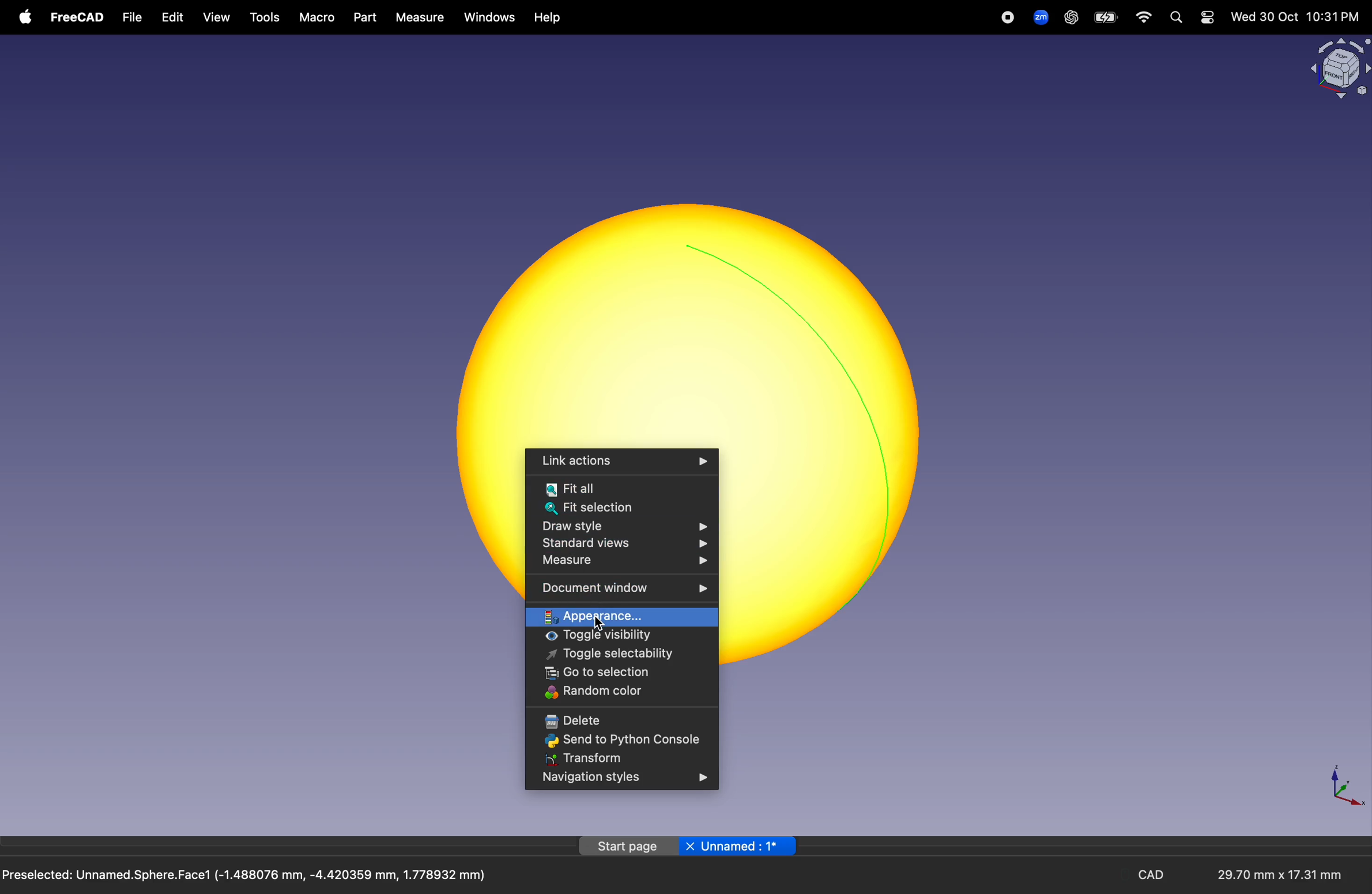 This screenshot has width=1372, height=894. Describe the element at coordinates (618, 759) in the screenshot. I see `transform` at that location.